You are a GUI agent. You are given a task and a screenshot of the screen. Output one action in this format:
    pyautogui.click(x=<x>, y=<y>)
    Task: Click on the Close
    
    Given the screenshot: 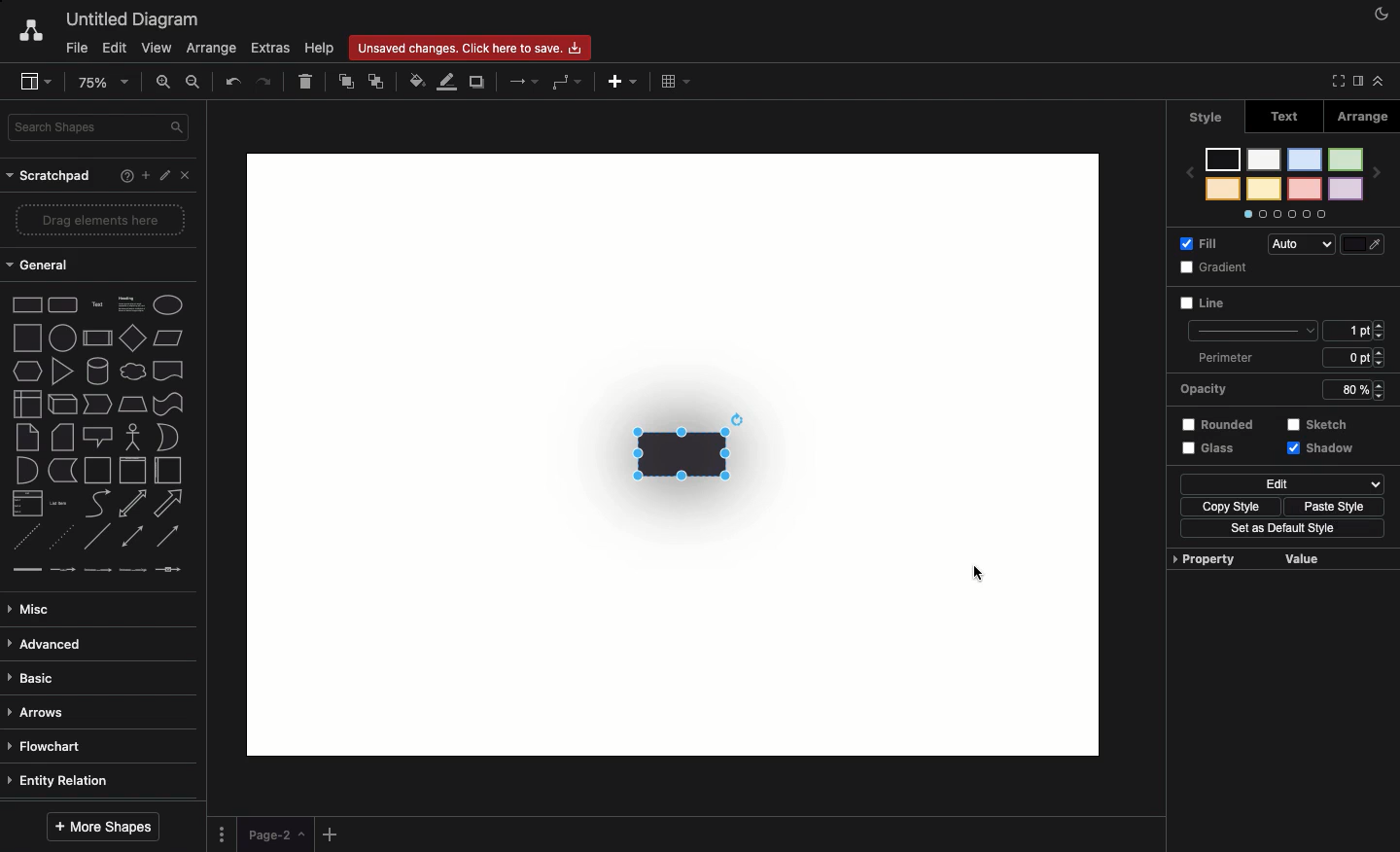 What is the action you would take?
    pyautogui.click(x=184, y=178)
    